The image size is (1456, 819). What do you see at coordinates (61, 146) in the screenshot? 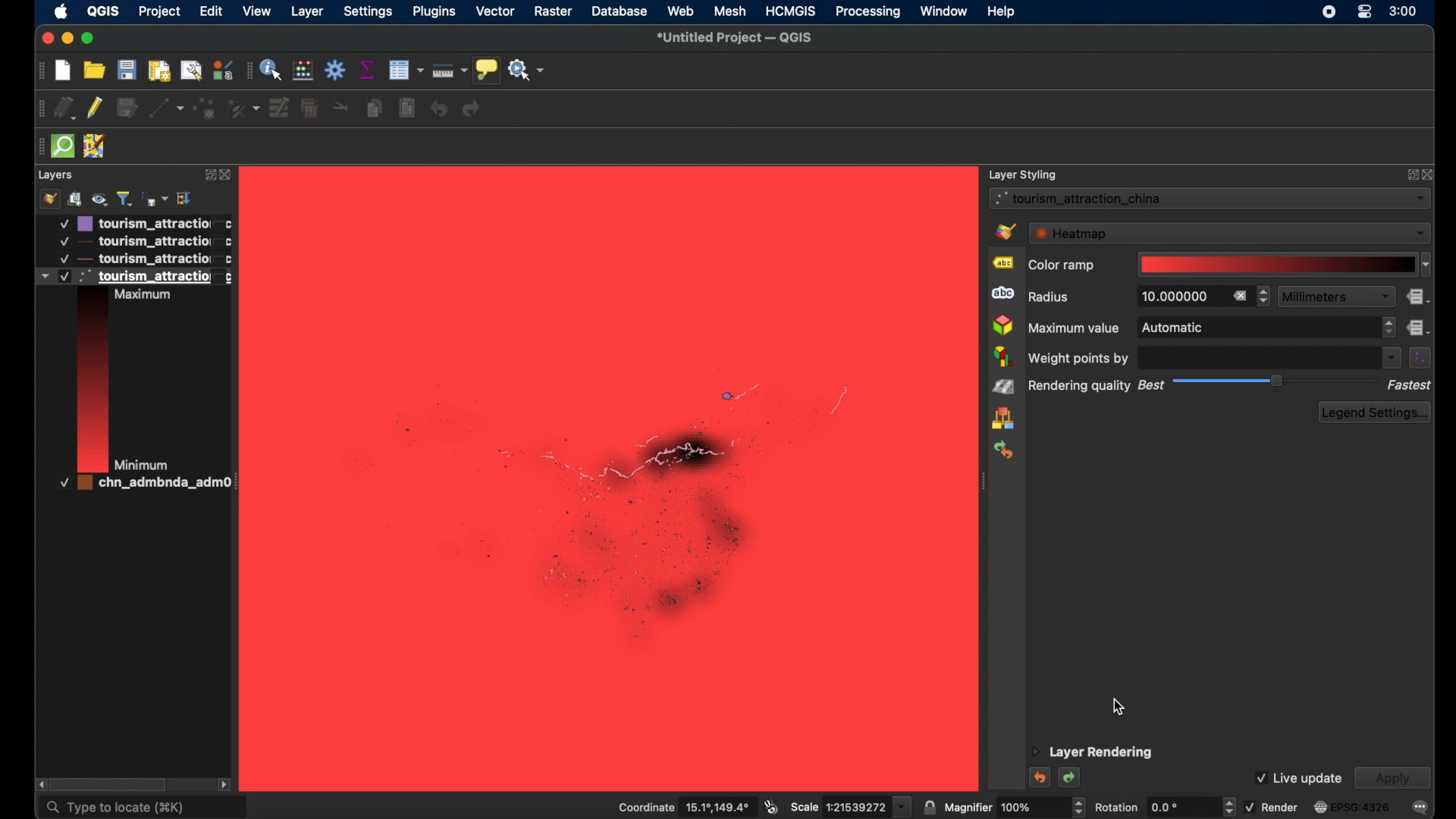
I see `quick osm` at bounding box center [61, 146].